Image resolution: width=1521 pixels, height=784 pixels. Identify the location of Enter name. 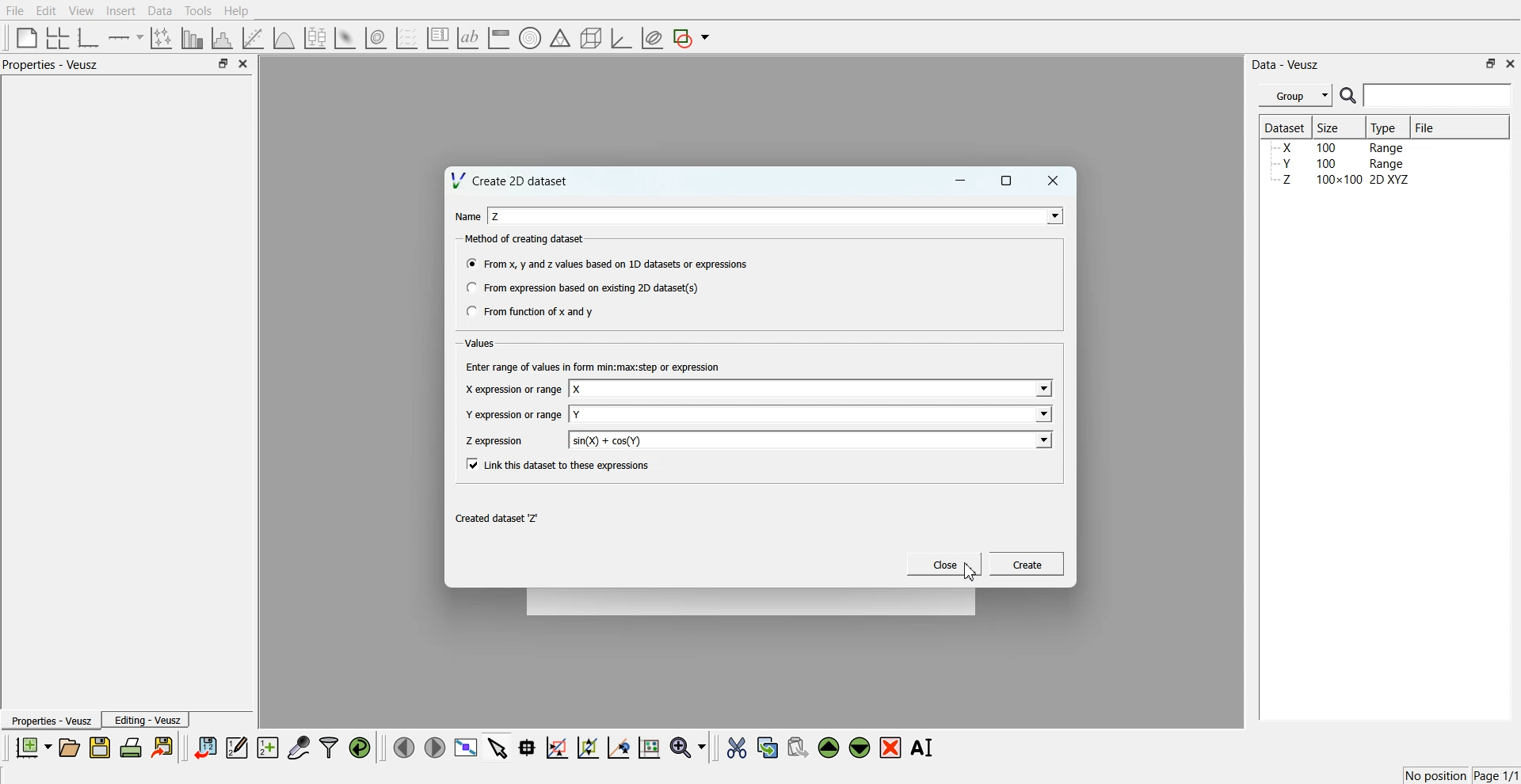
(812, 390).